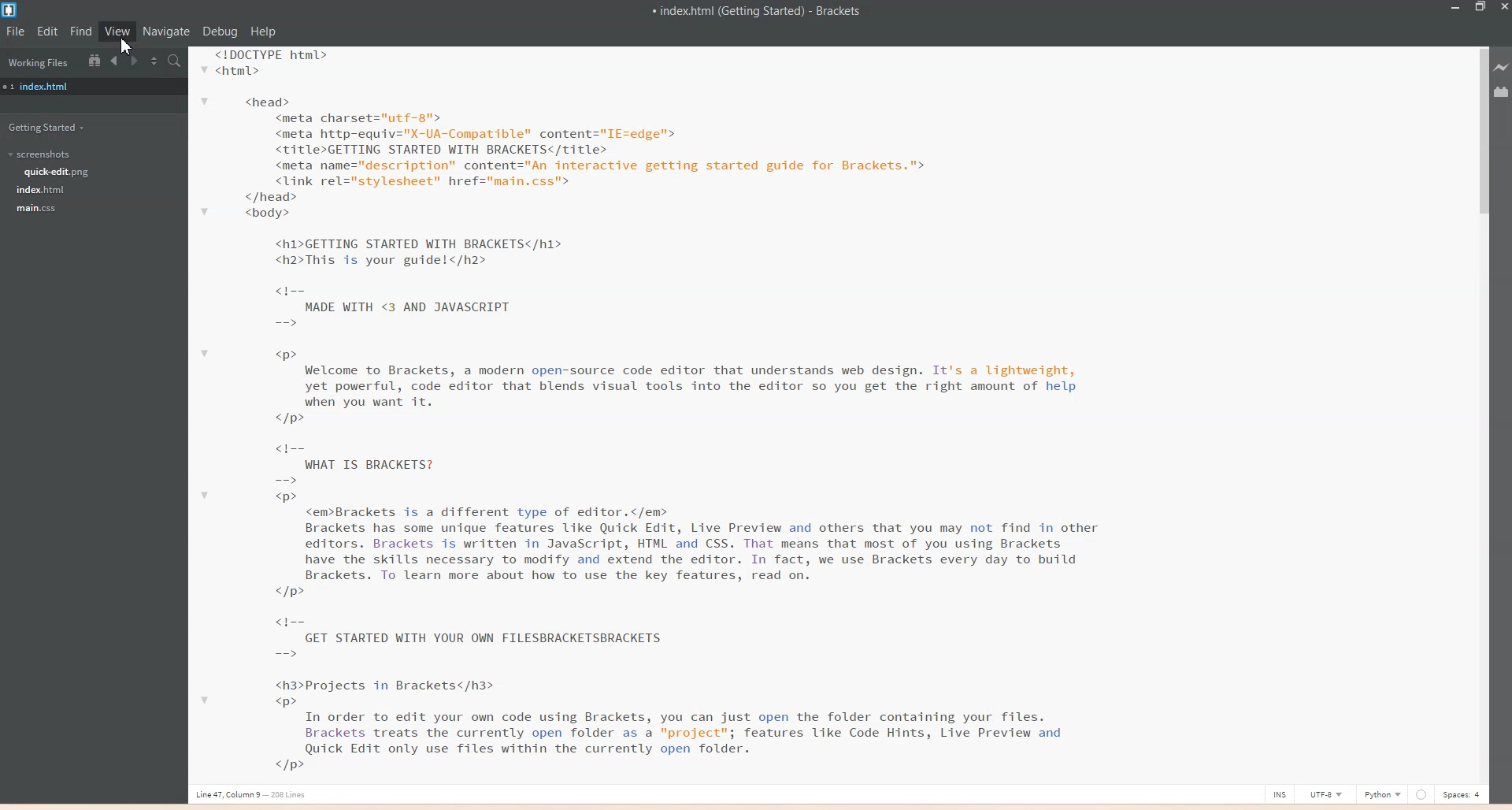 The width and height of the screenshot is (1512, 810). I want to click on File, so click(16, 32).